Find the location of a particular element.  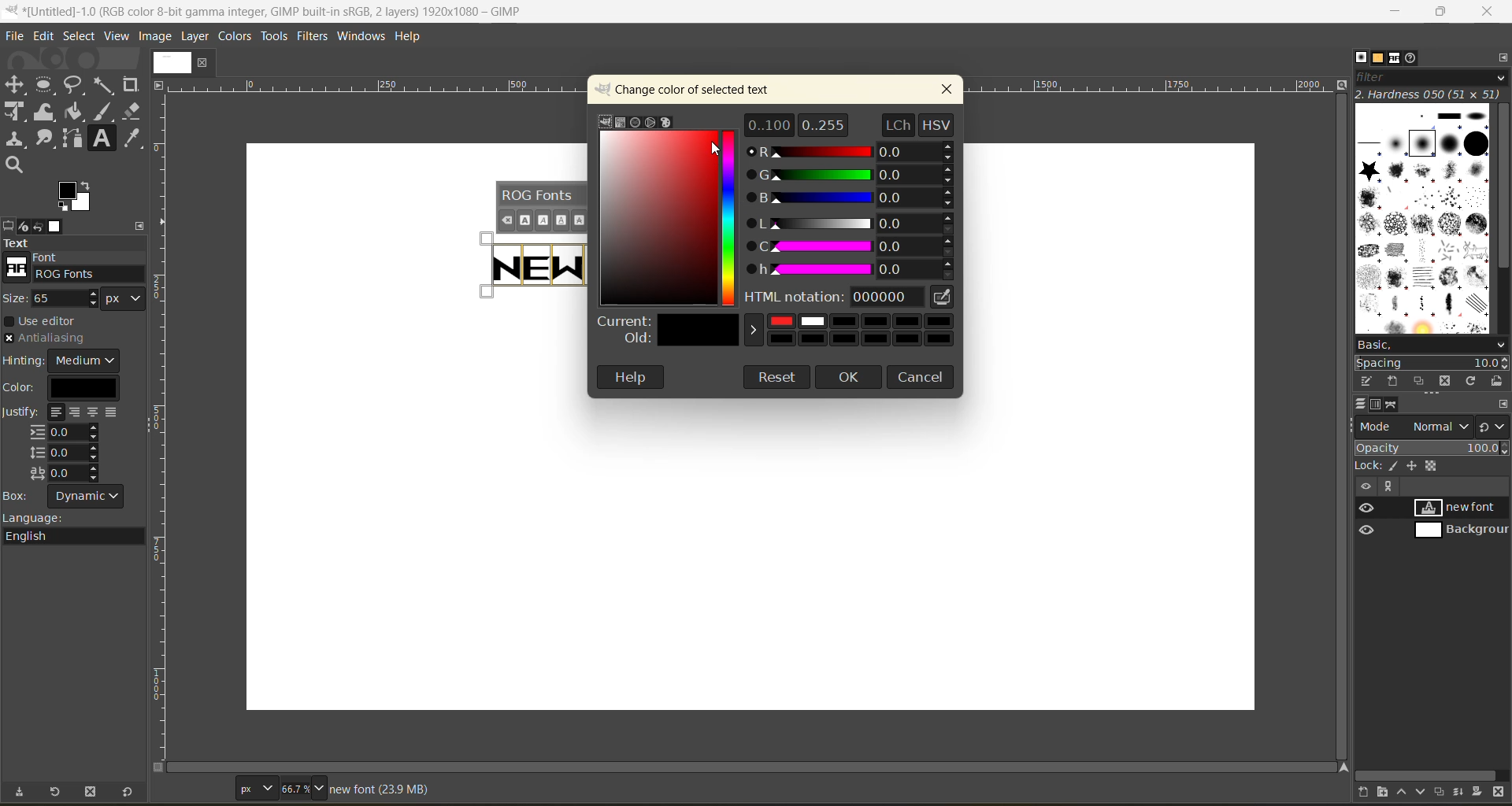

undo history is located at coordinates (36, 224).